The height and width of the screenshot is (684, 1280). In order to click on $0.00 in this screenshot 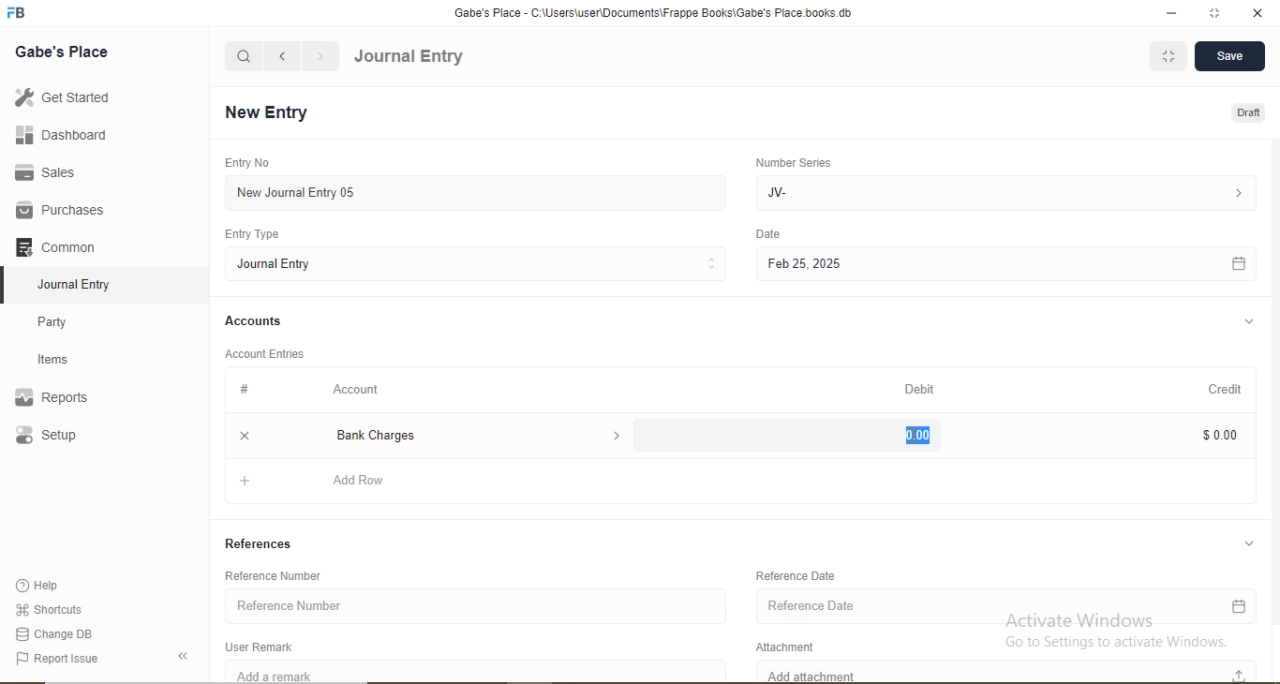, I will do `click(1217, 434)`.